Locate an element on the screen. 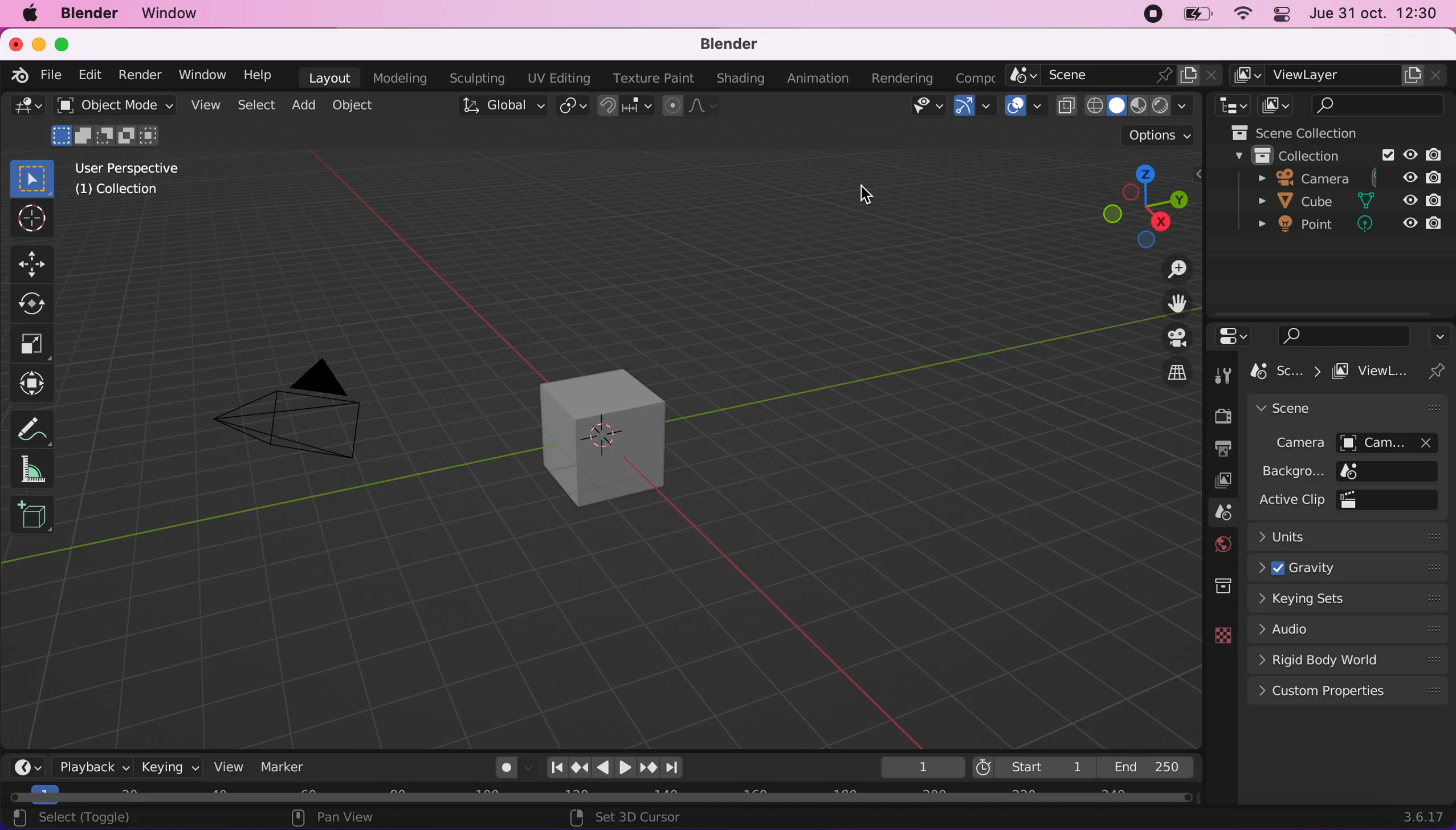  maximize is located at coordinates (68, 43).